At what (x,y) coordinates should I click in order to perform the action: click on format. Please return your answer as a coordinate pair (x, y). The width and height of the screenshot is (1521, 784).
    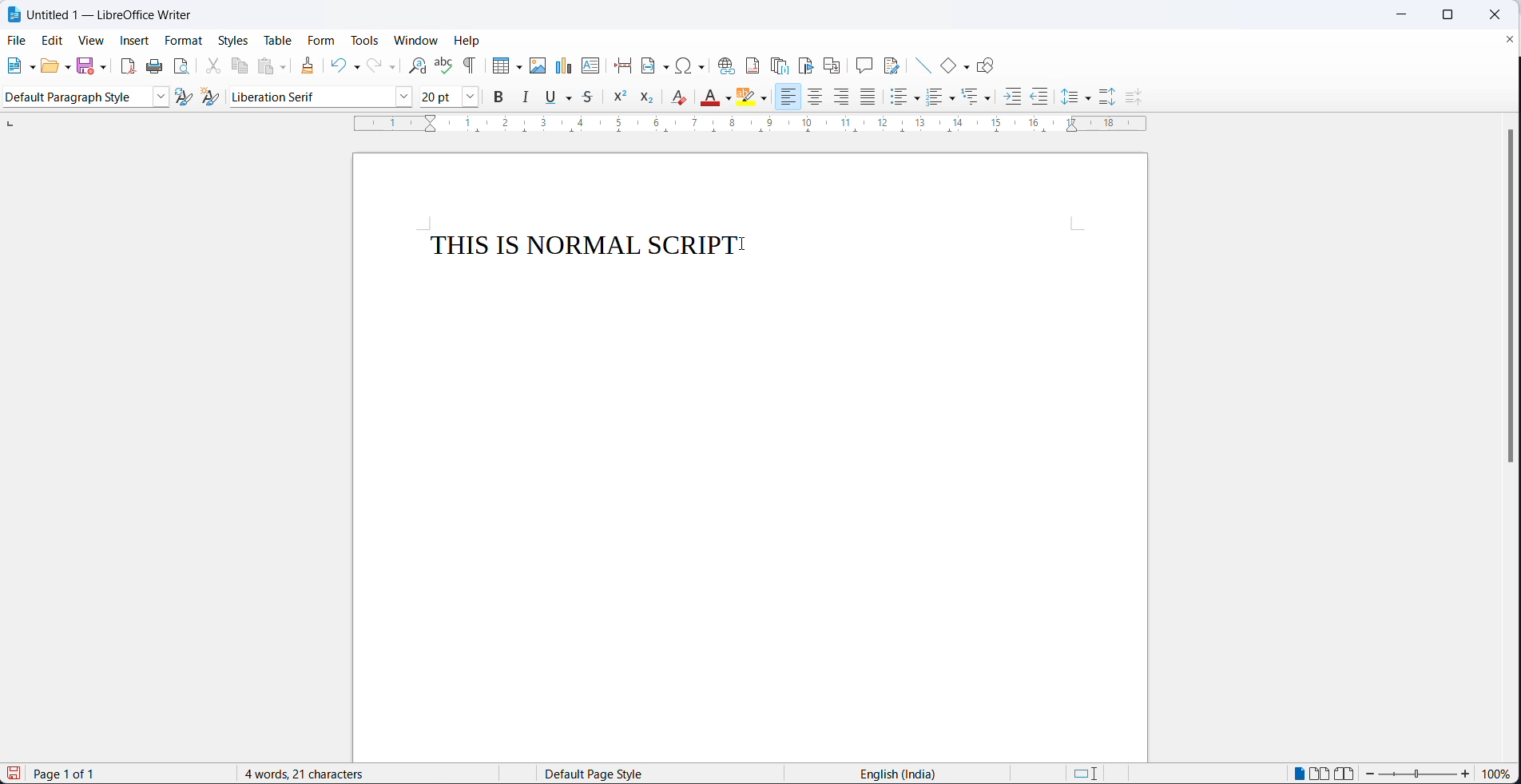
    Looking at the image, I should click on (183, 42).